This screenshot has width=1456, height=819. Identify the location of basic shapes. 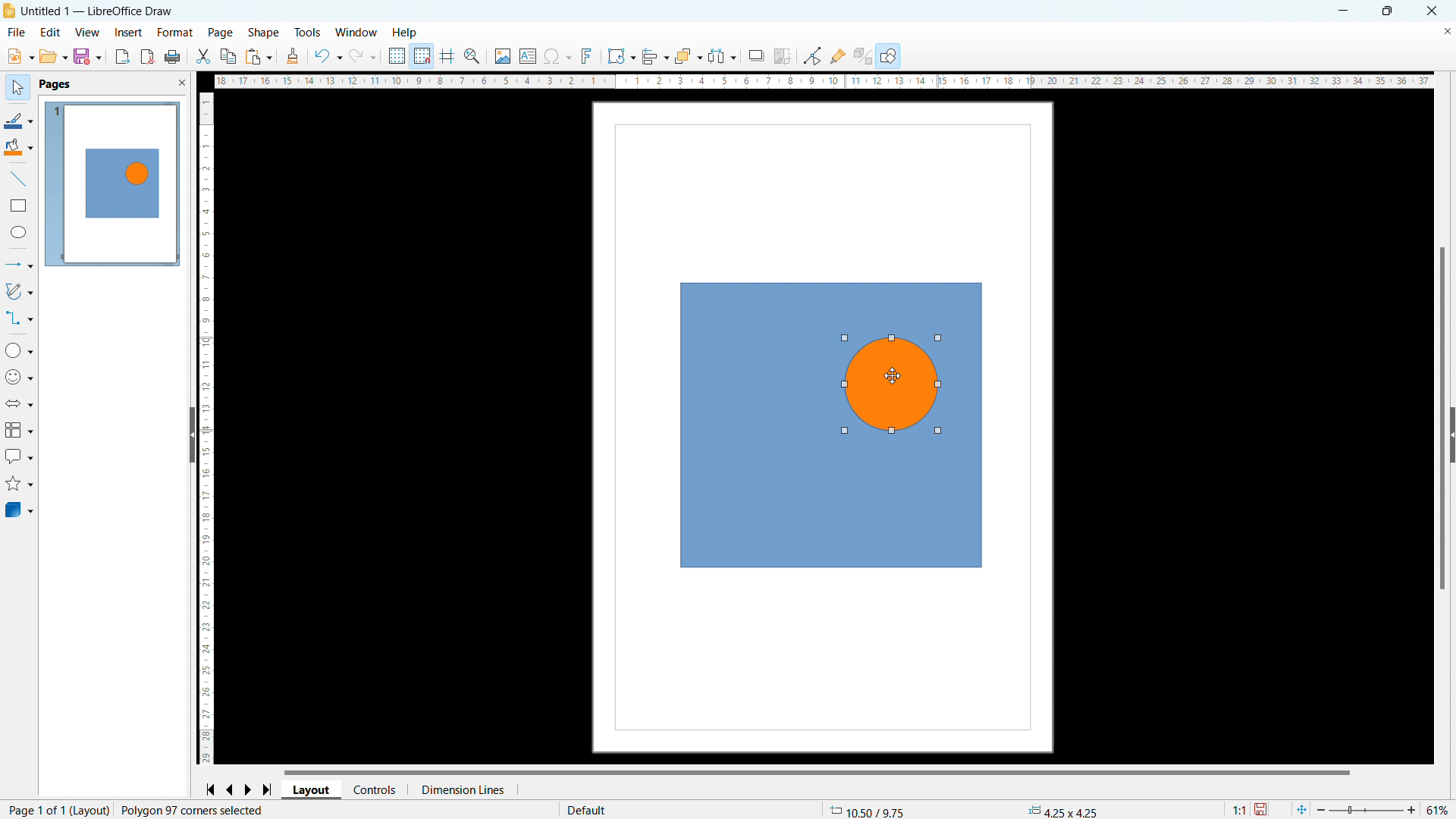
(19, 350).